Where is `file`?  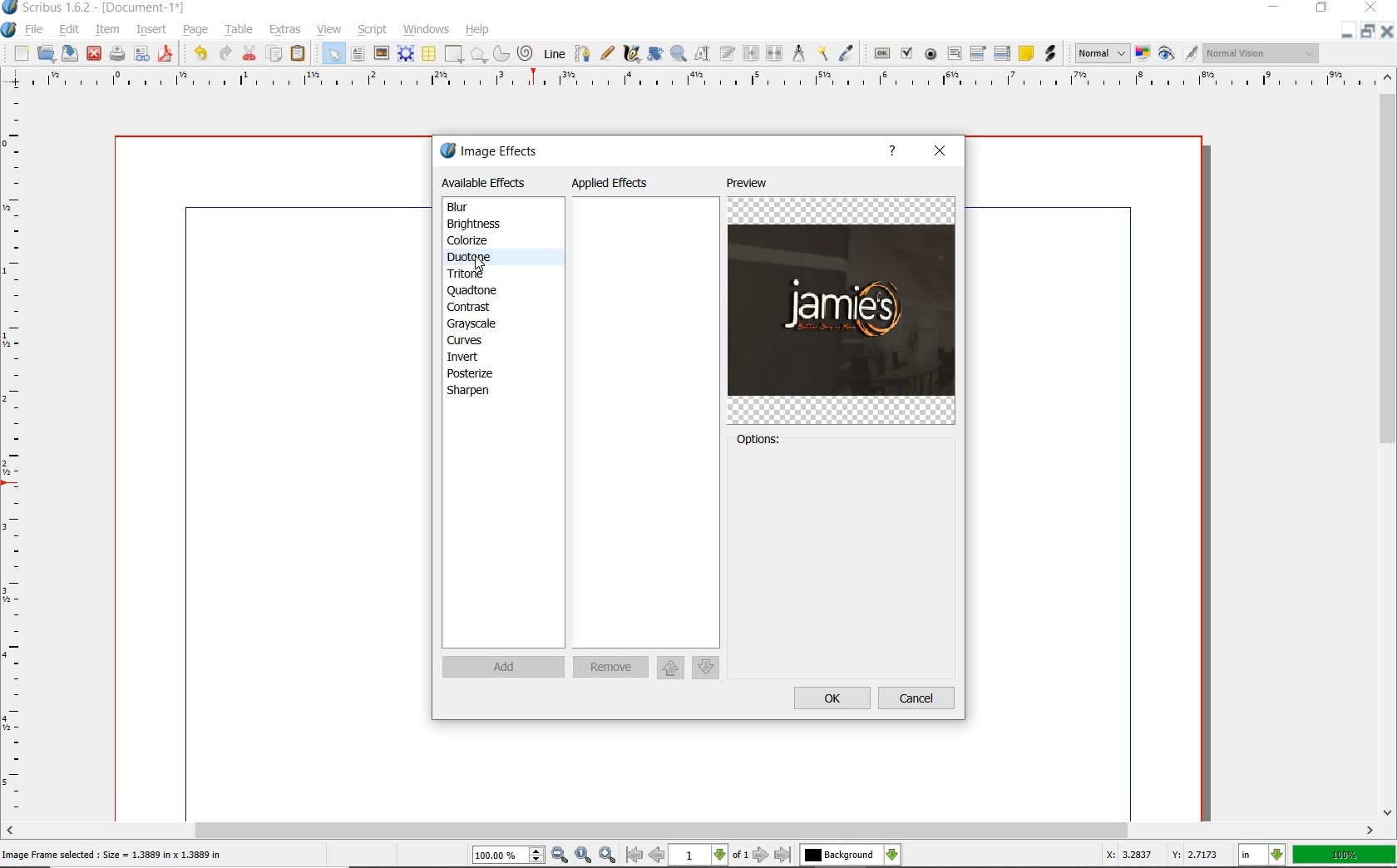 file is located at coordinates (36, 29).